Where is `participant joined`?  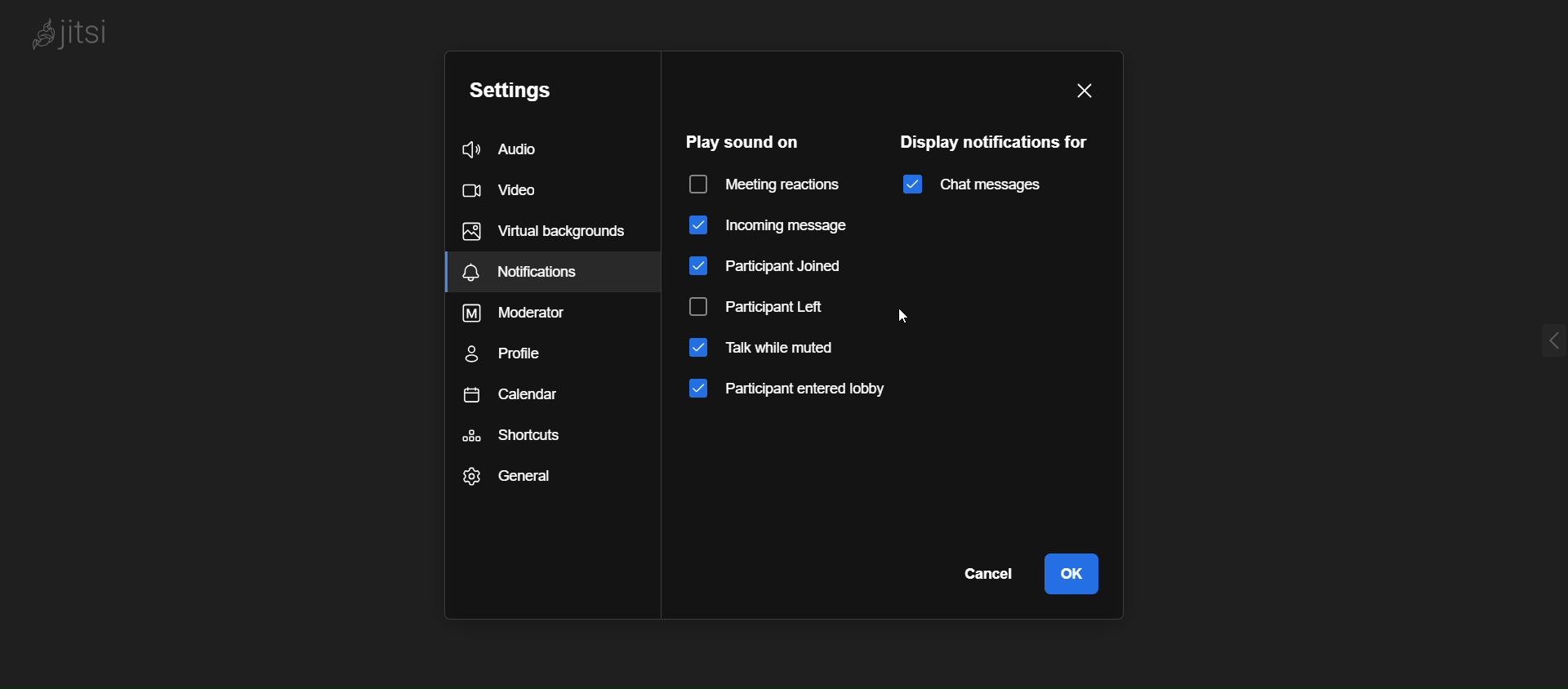 participant joined is located at coordinates (770, 268).